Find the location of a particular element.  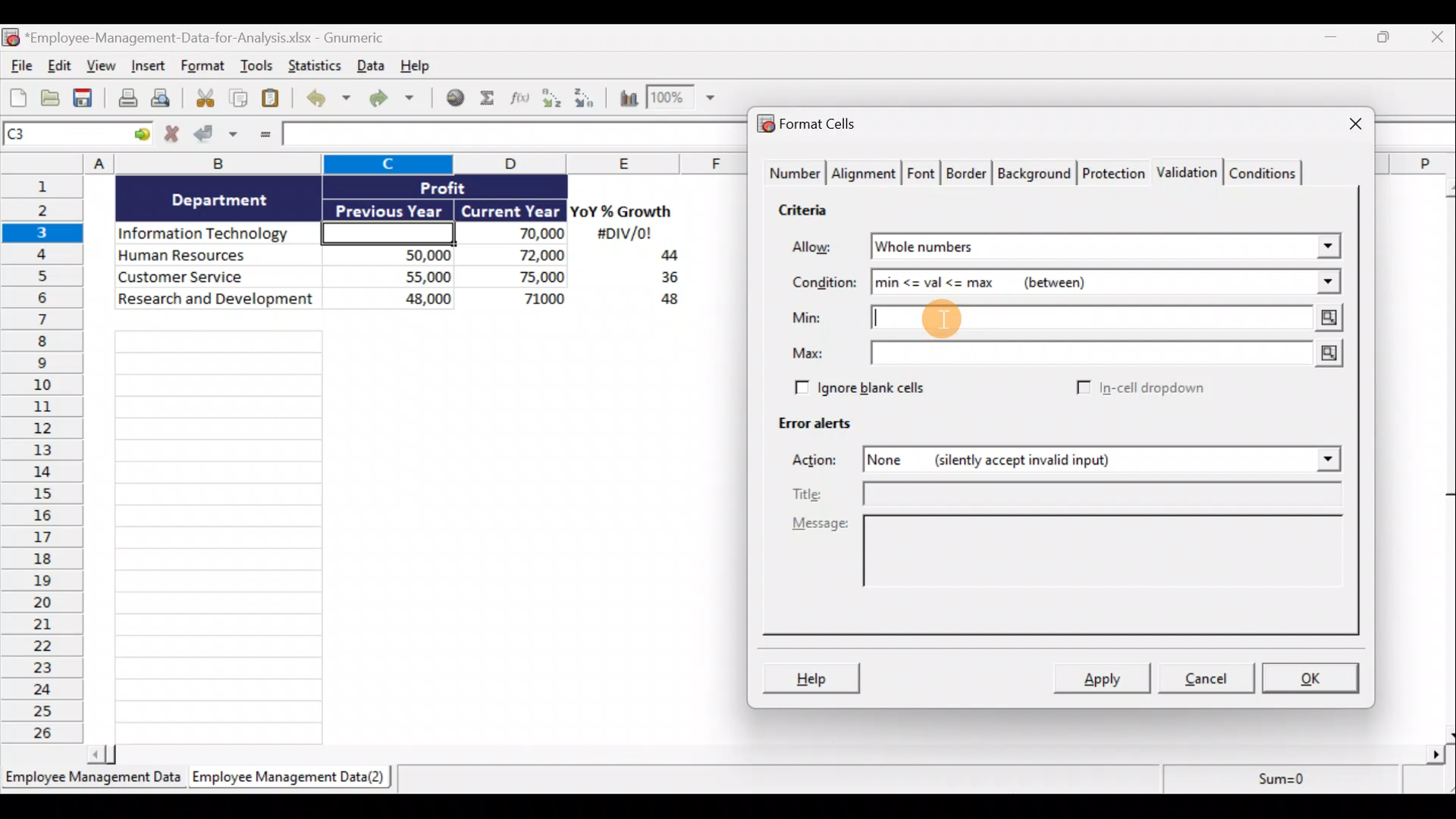

Help is located at coordinates (814, 676).